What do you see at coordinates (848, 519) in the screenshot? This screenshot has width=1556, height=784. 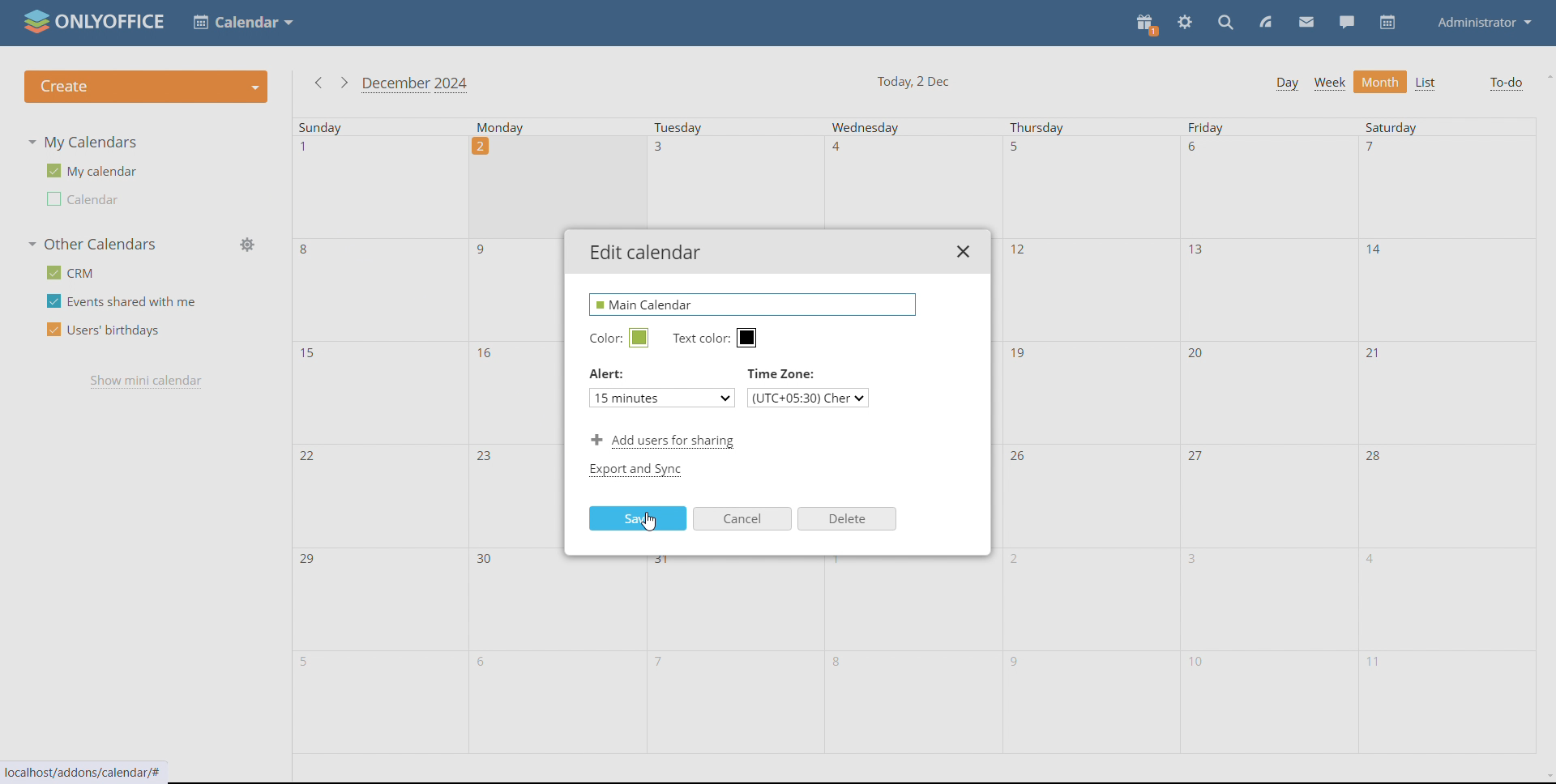 I see `delete` at bounding box center [848, 519].